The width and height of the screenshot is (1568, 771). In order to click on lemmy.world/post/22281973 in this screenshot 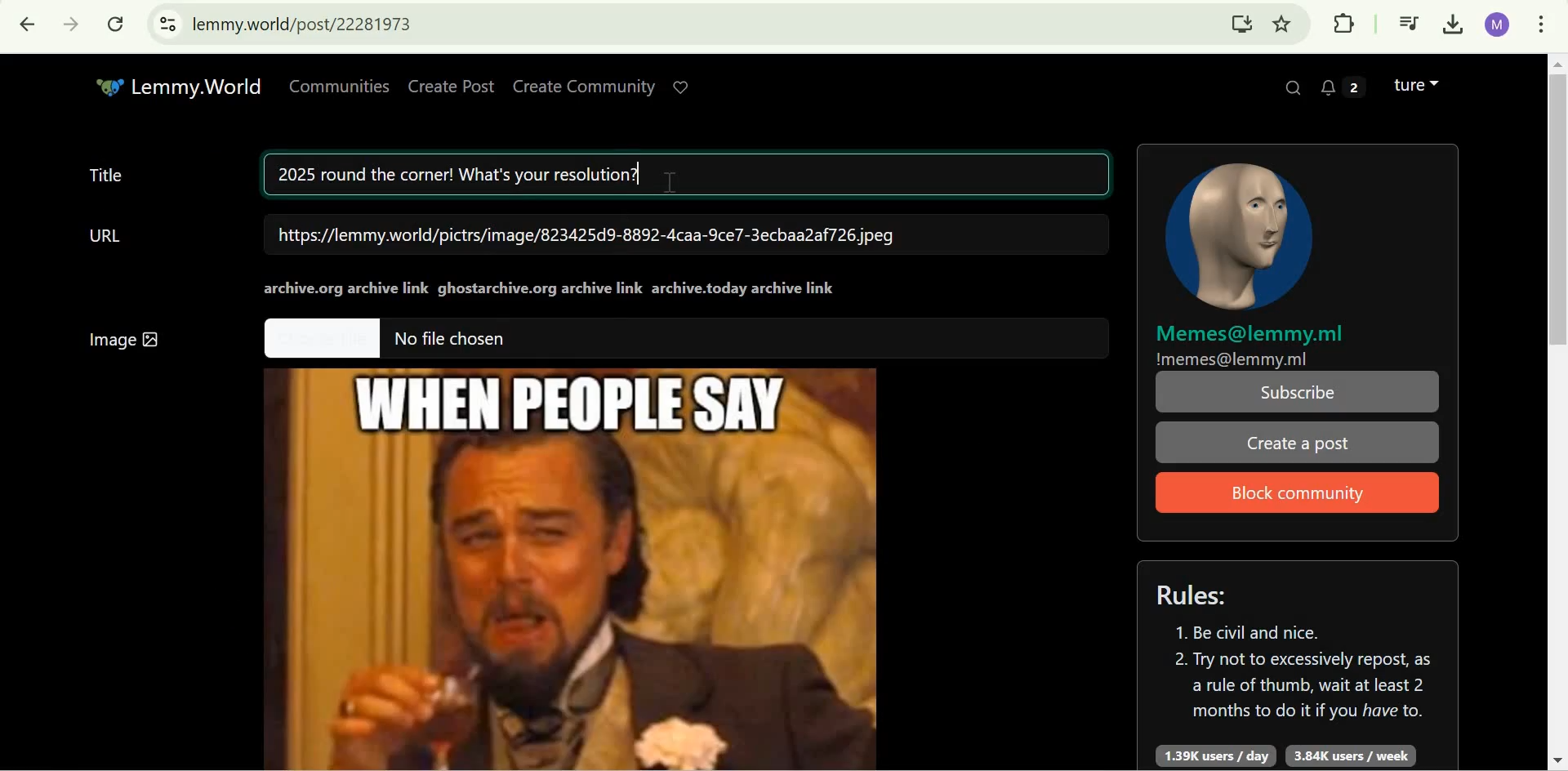, I will do `click(305, 24)`.